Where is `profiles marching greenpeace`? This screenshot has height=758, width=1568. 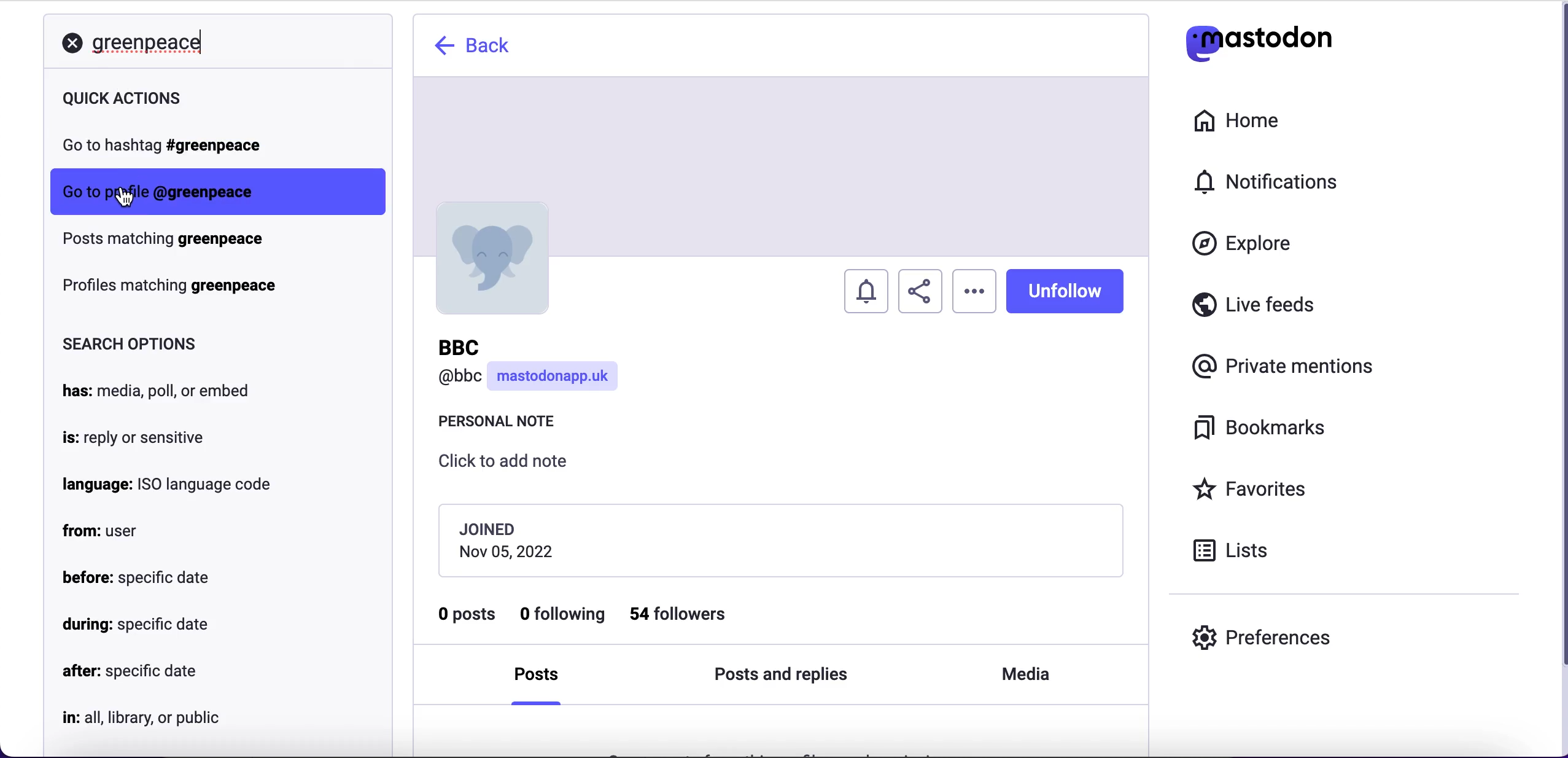 profiles marching greenpeace is located at coordinates (173, 287).